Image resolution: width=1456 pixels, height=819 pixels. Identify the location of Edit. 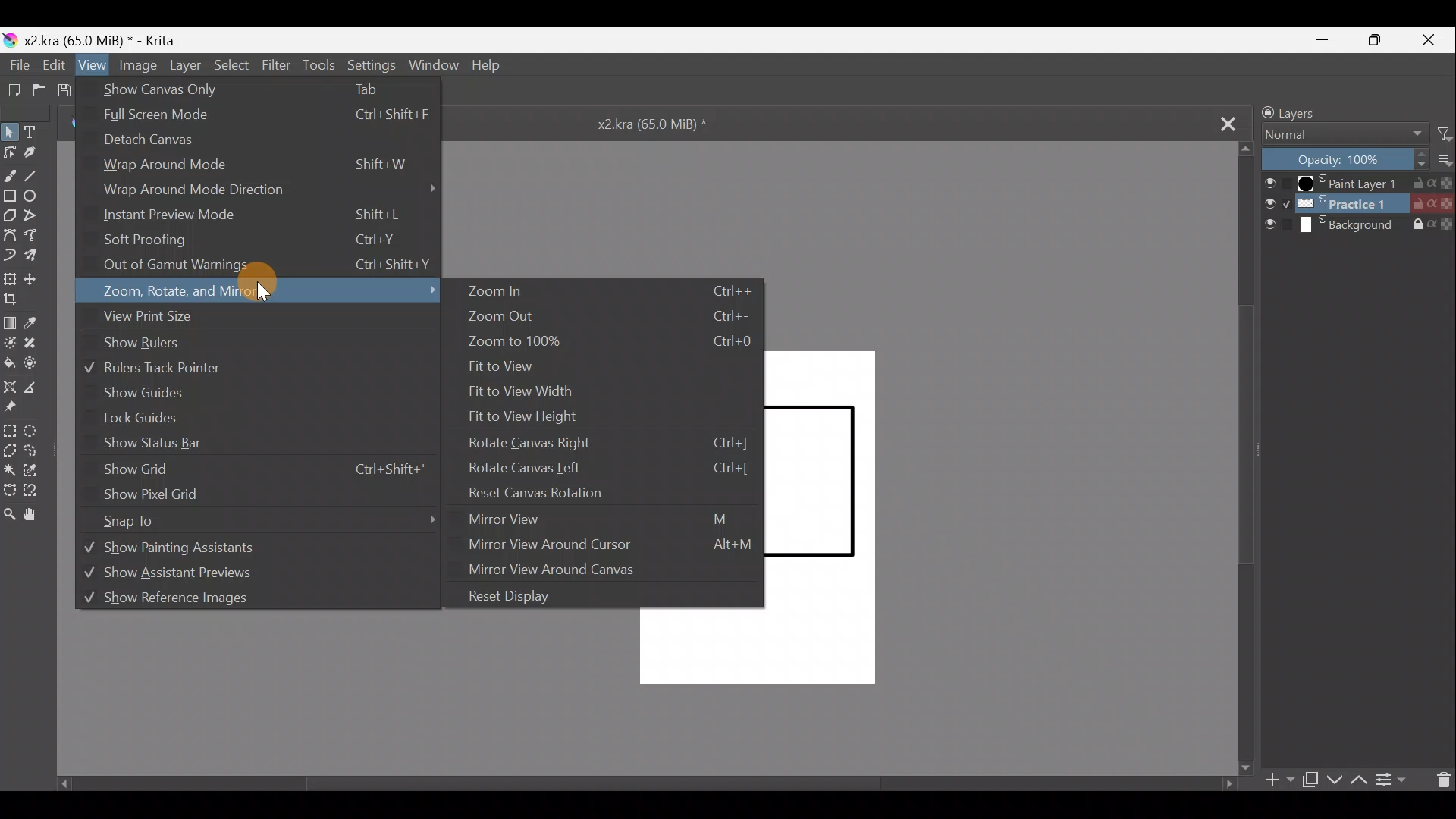
(51, 65).